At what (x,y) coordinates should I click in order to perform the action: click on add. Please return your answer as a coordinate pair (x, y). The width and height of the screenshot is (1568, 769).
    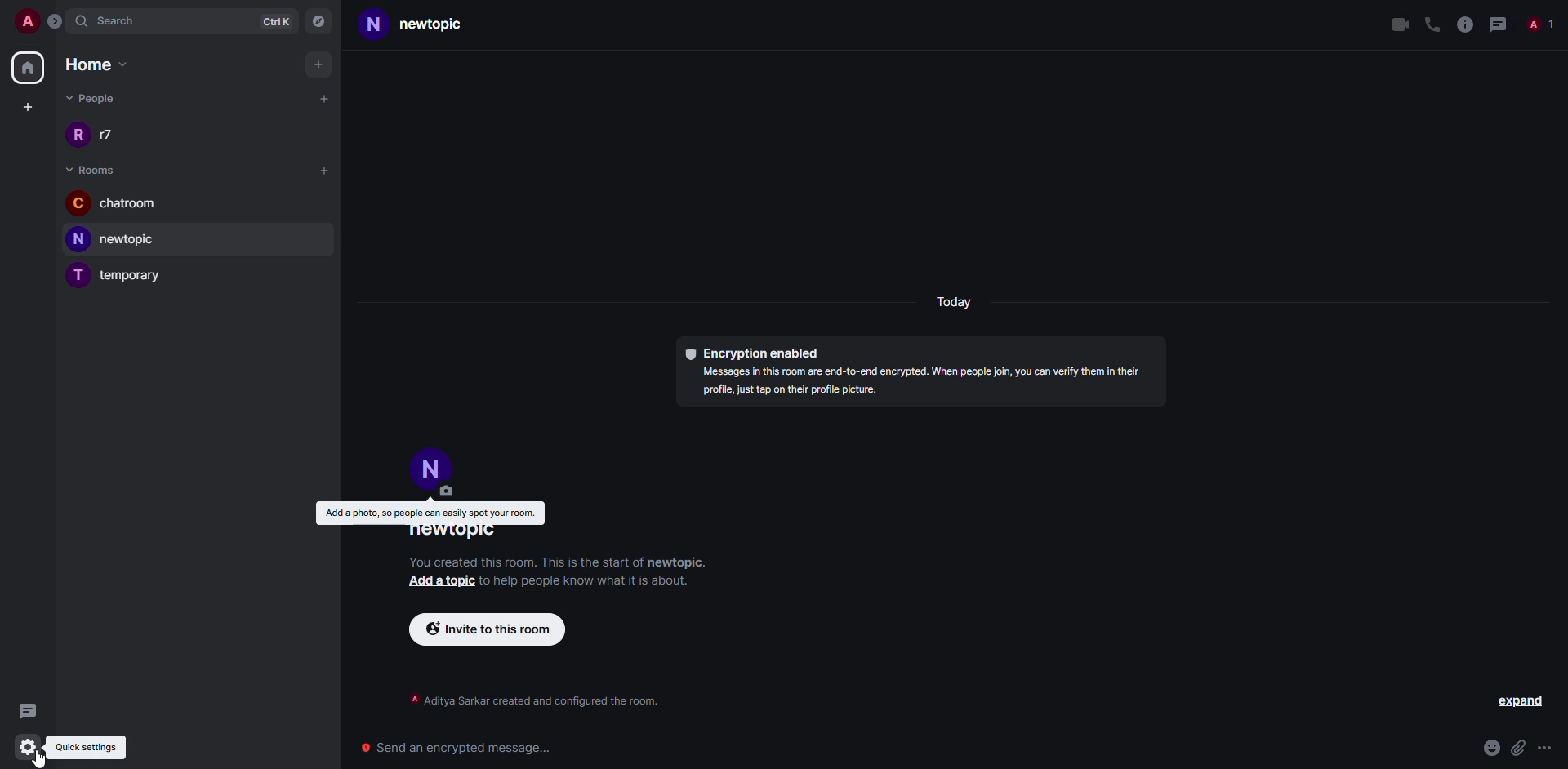
    Looking at the image, I should click on (325, 96).